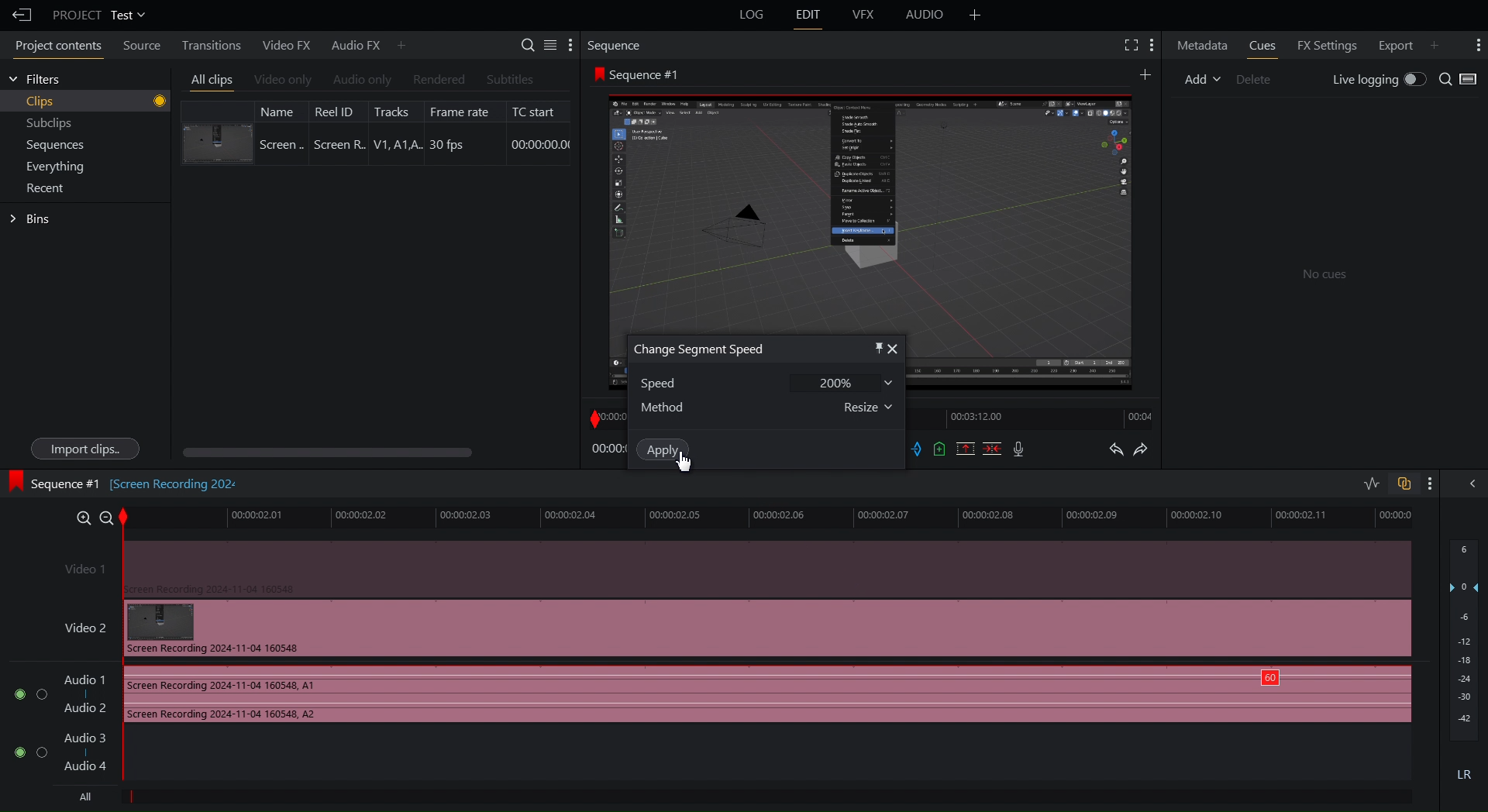  I want to click on Subtitles, so click(511, 79).